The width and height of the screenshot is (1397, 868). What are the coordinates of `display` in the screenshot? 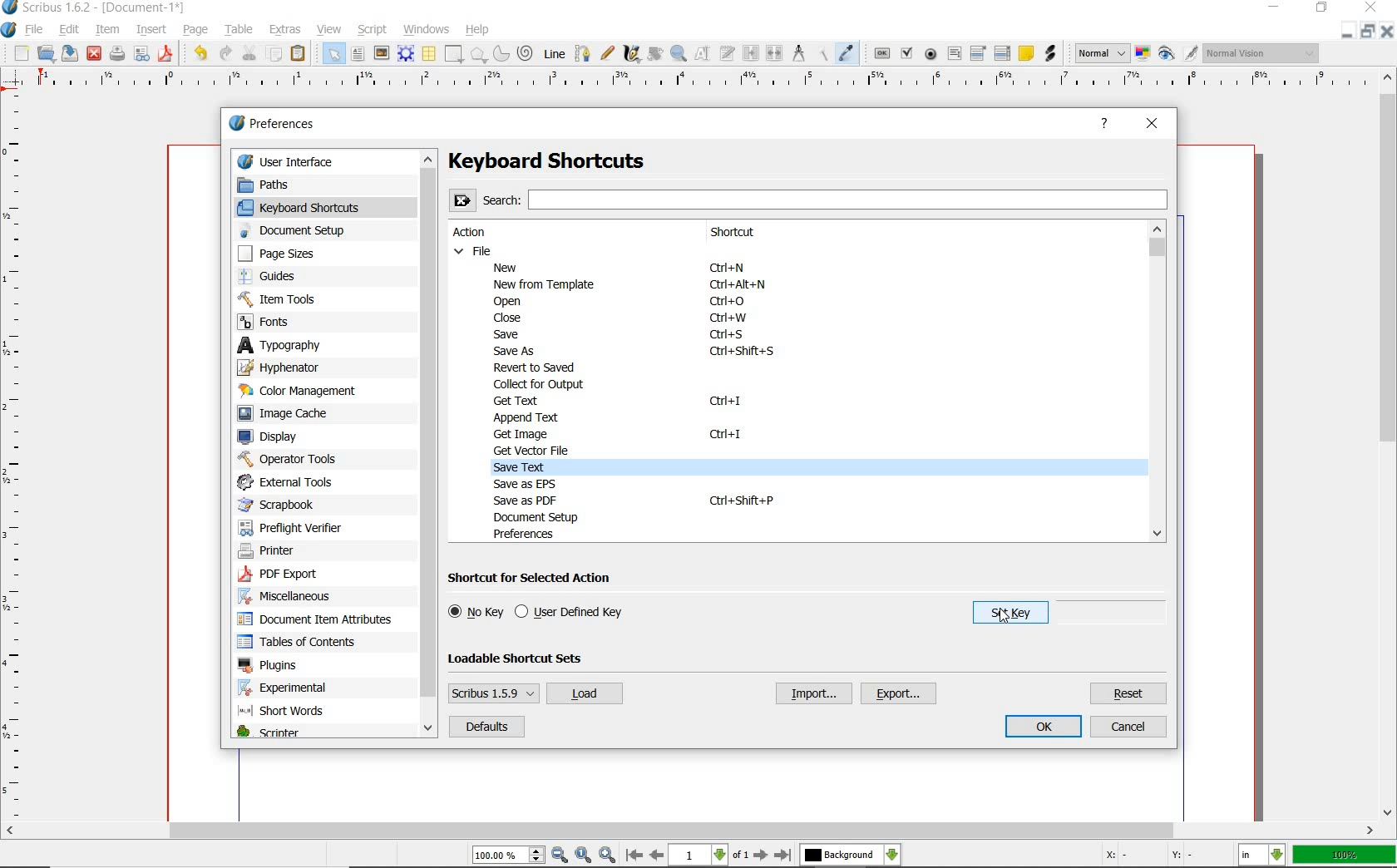 It's located at (276, 436).